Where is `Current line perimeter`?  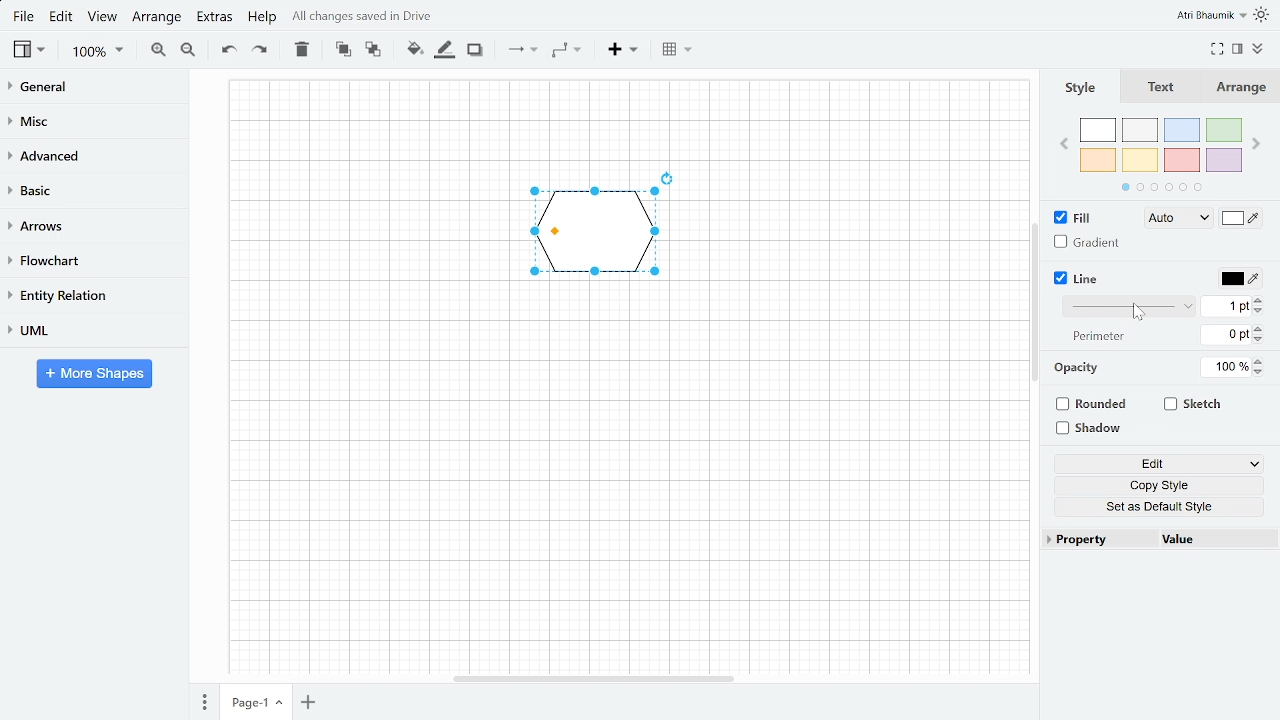
Current line perimeter is located at coordinates (1225, 335).